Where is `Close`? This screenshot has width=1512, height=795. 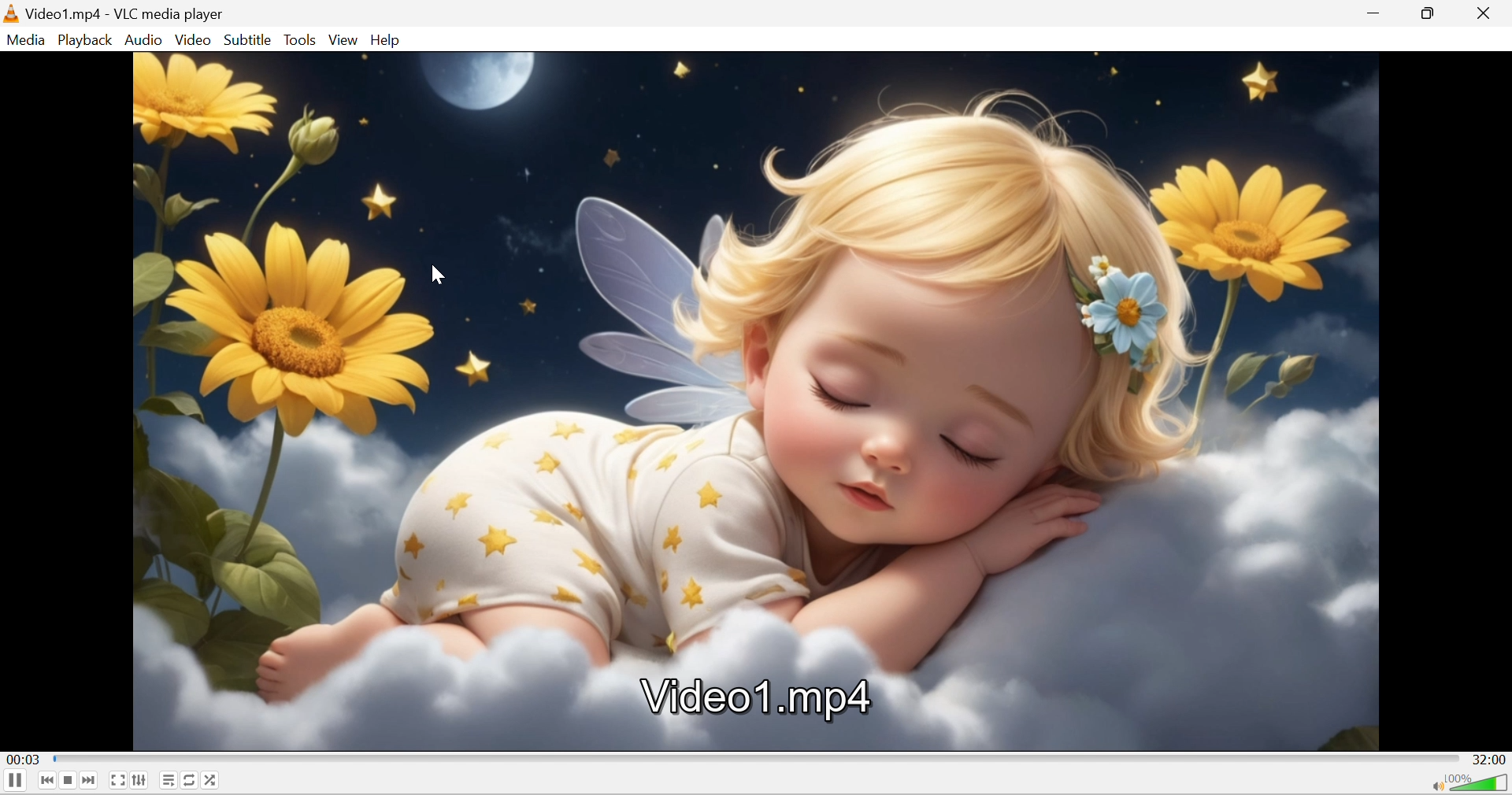
Close is located at coordinates (1489, 13).